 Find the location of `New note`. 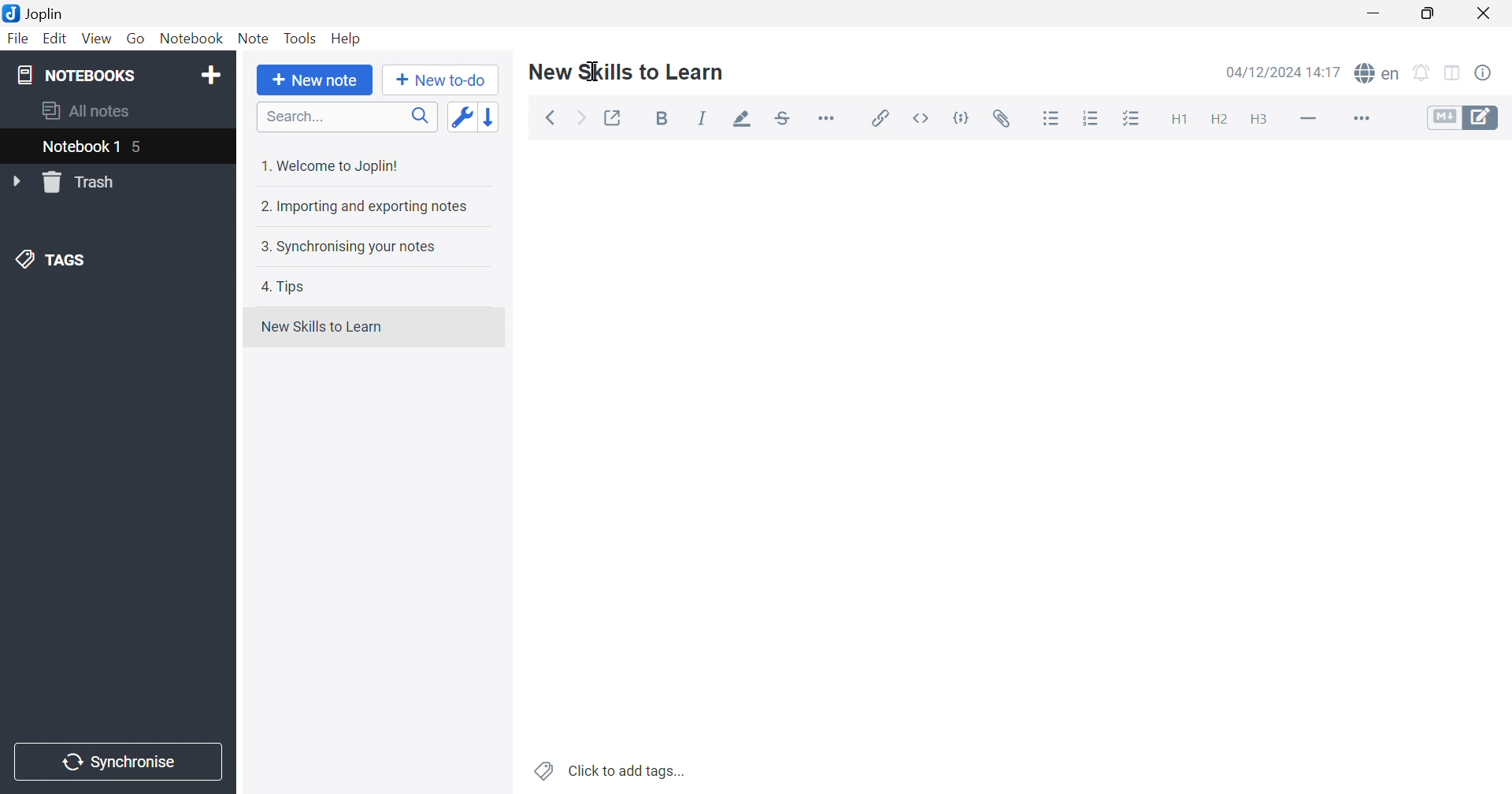

New note is located at coordinates (315, 80).